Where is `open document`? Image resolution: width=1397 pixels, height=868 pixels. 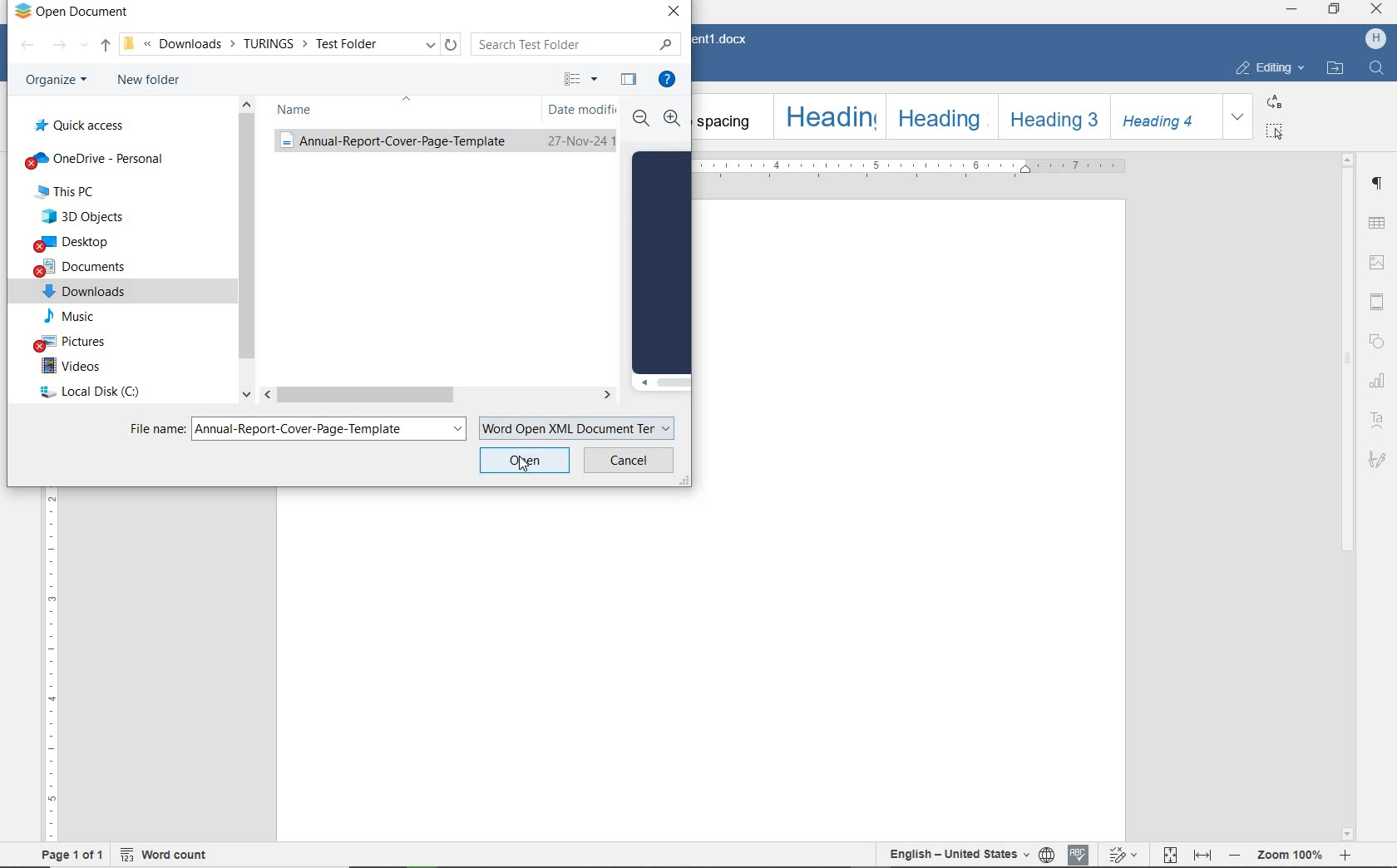 open document is located at coordinates (72, 12).